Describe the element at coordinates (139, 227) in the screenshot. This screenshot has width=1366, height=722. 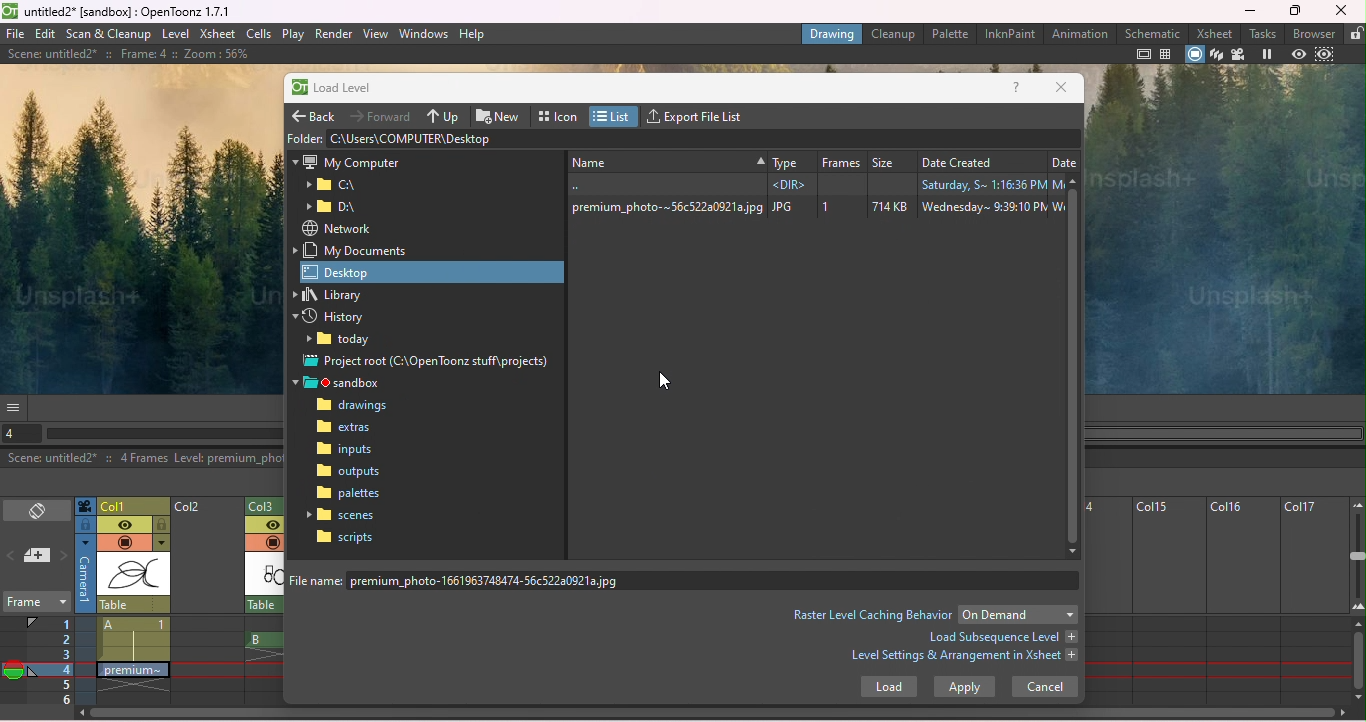
I see `background image` at that location.